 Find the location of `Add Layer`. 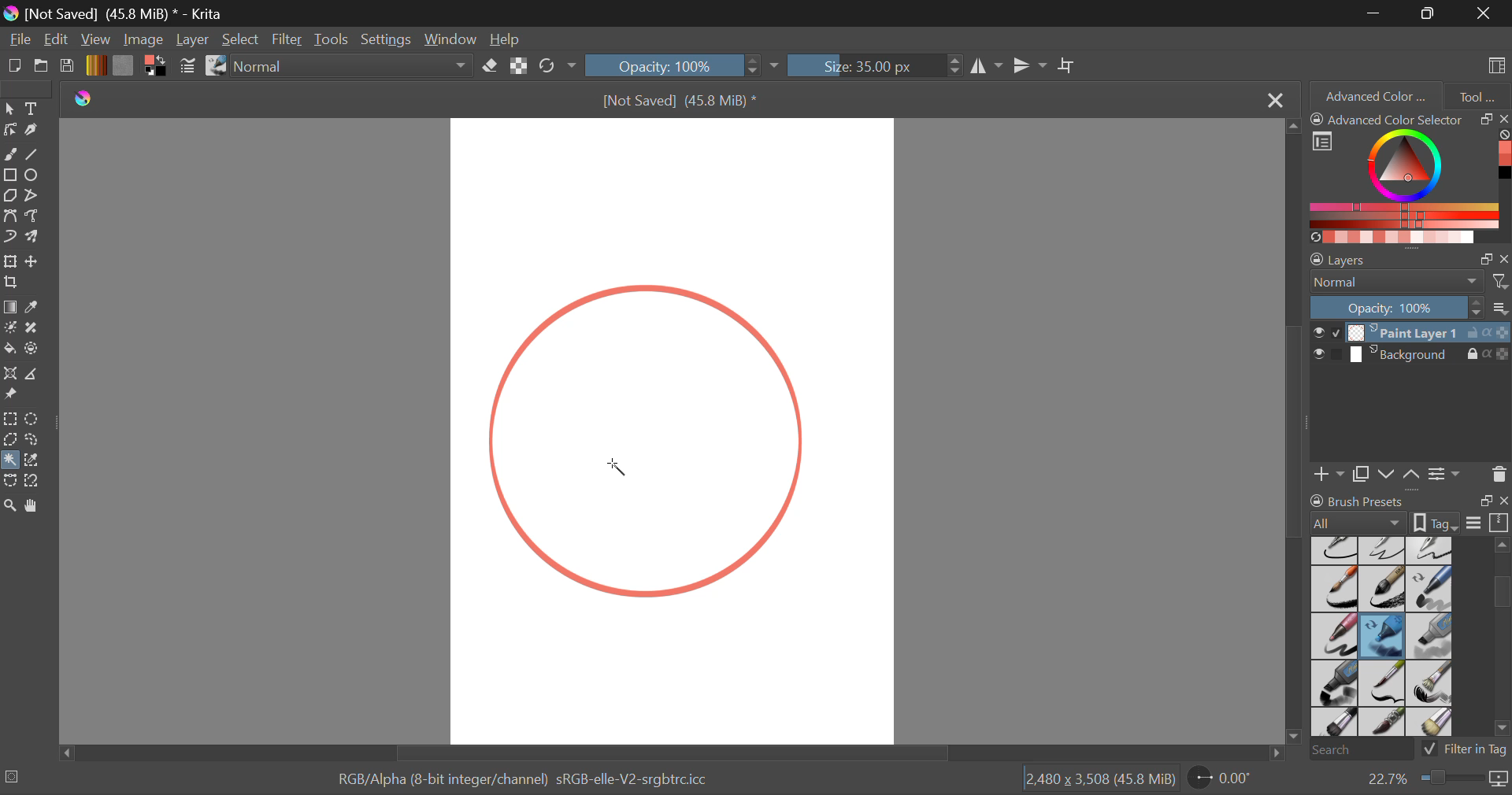

Add Layer is located at coordinates (1329, 472).